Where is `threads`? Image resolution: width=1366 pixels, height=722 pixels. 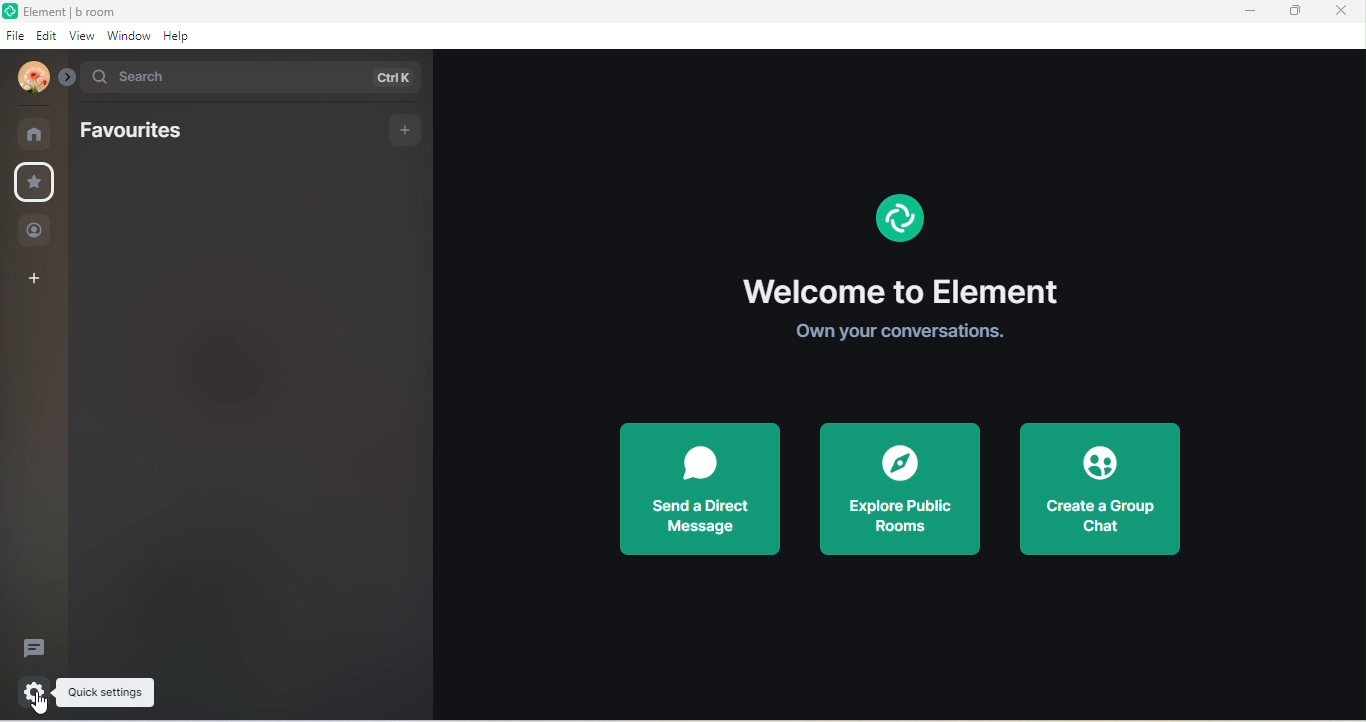 threads is located at coordinates (35, 649).